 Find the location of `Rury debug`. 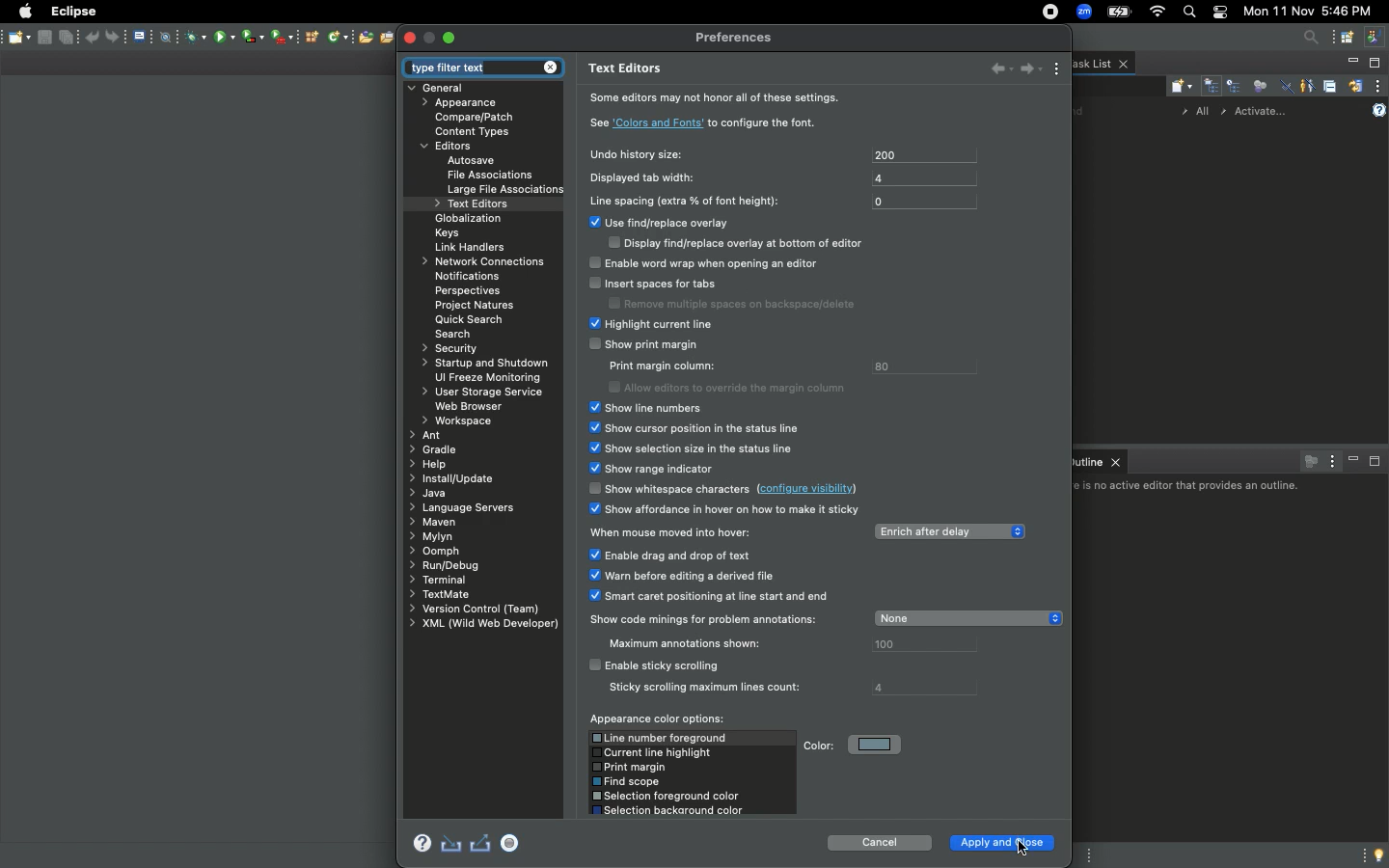

Rury debug is located at coordinates (446, 564).